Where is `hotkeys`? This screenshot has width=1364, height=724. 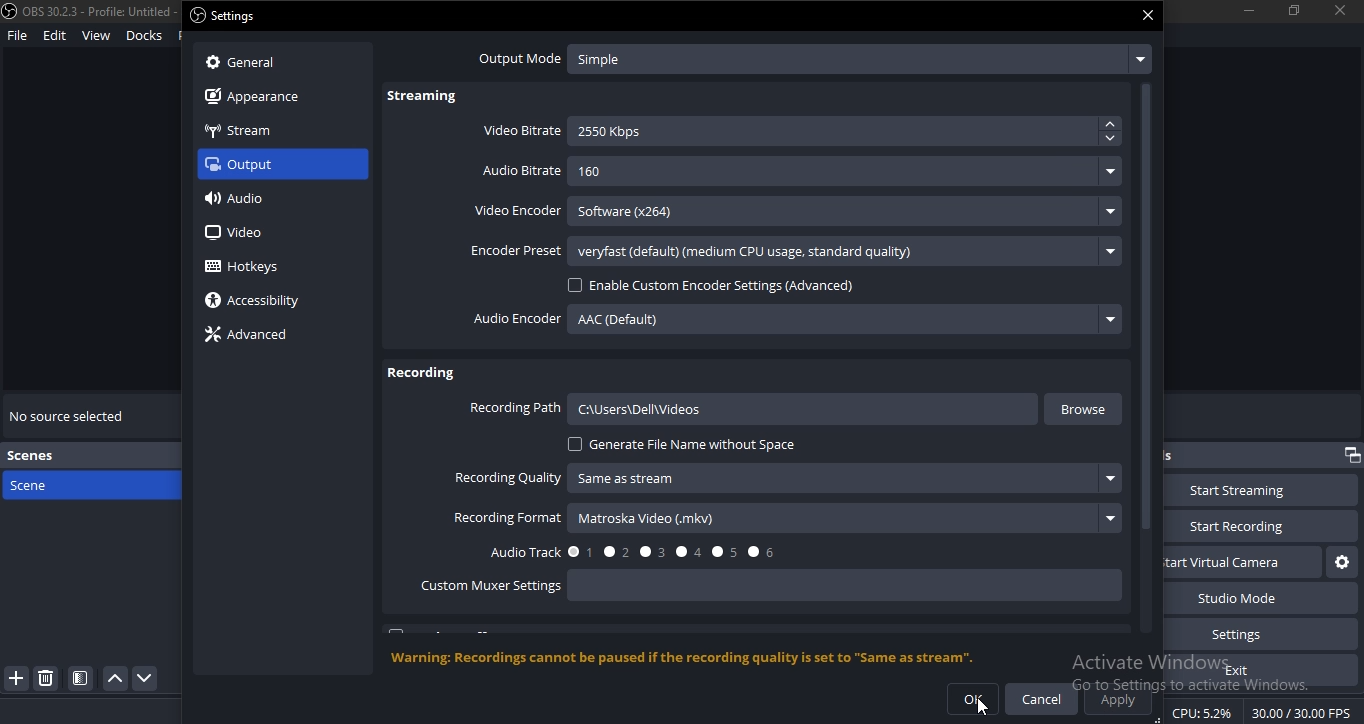 hotkeys is located at coordinates (253, 267).